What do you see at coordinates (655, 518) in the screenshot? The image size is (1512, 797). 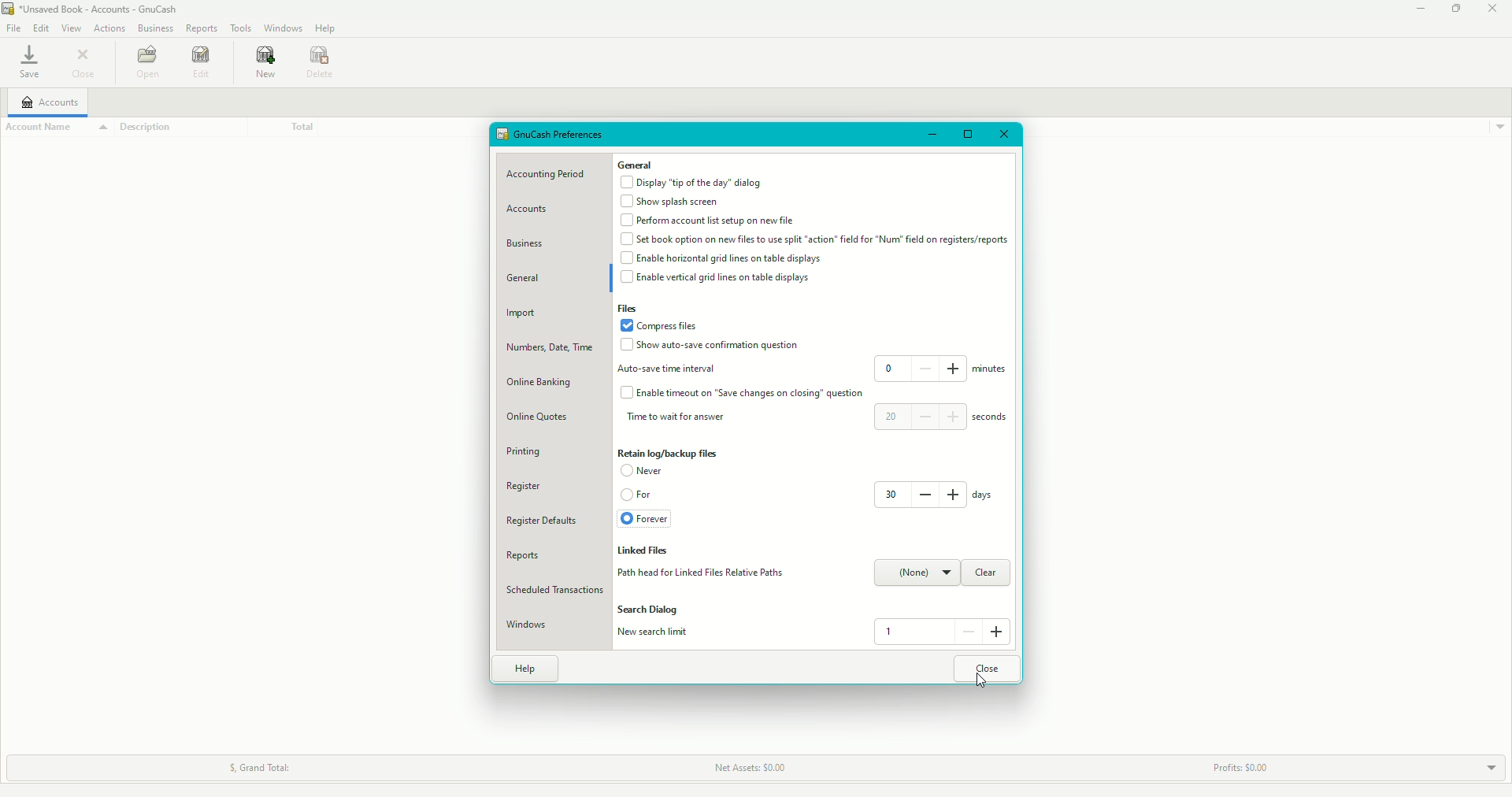 I see `Forever` at bounding box center [655, 518].